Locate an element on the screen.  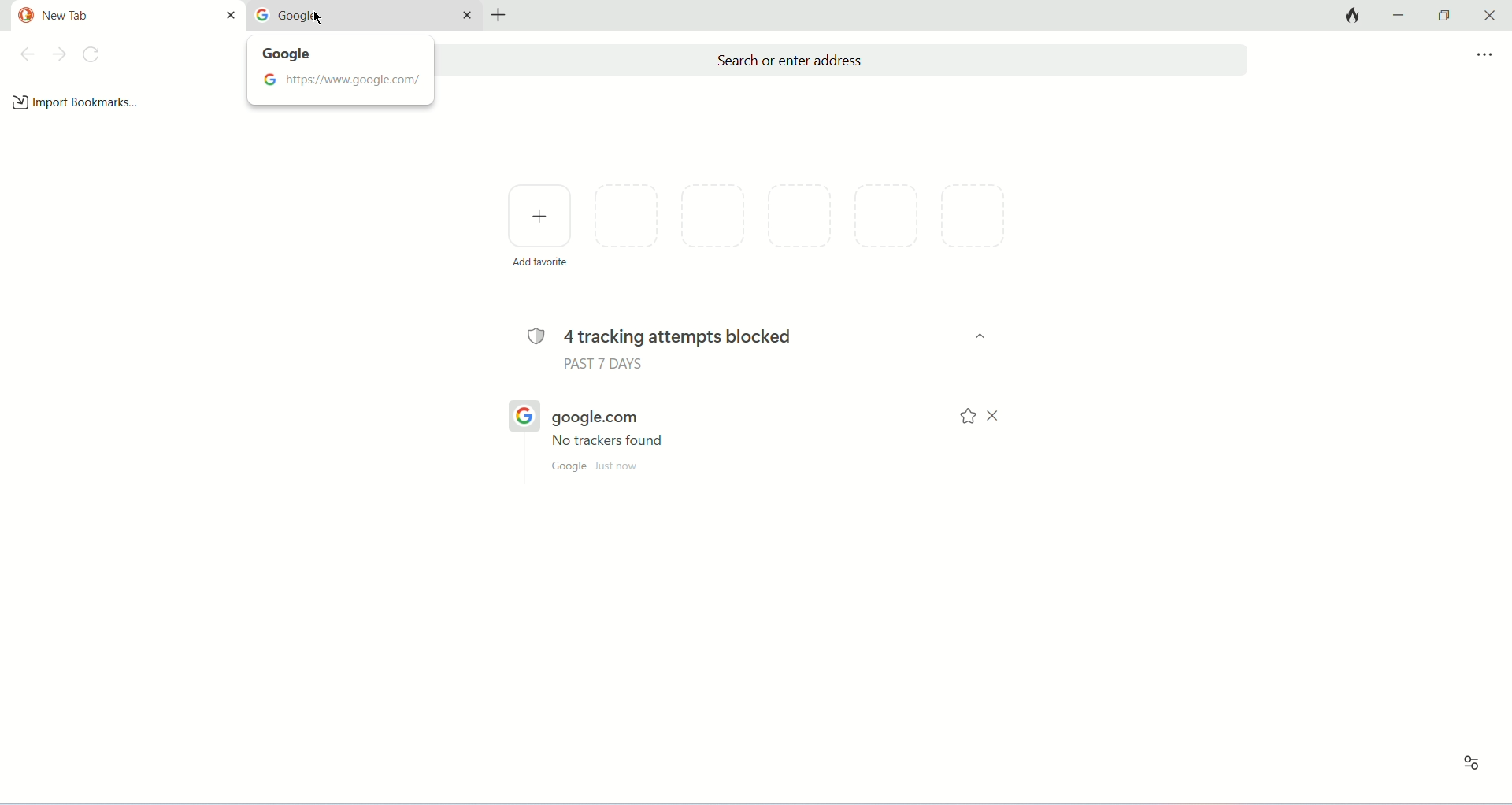
bookmark is located at coordinates (966, 418).